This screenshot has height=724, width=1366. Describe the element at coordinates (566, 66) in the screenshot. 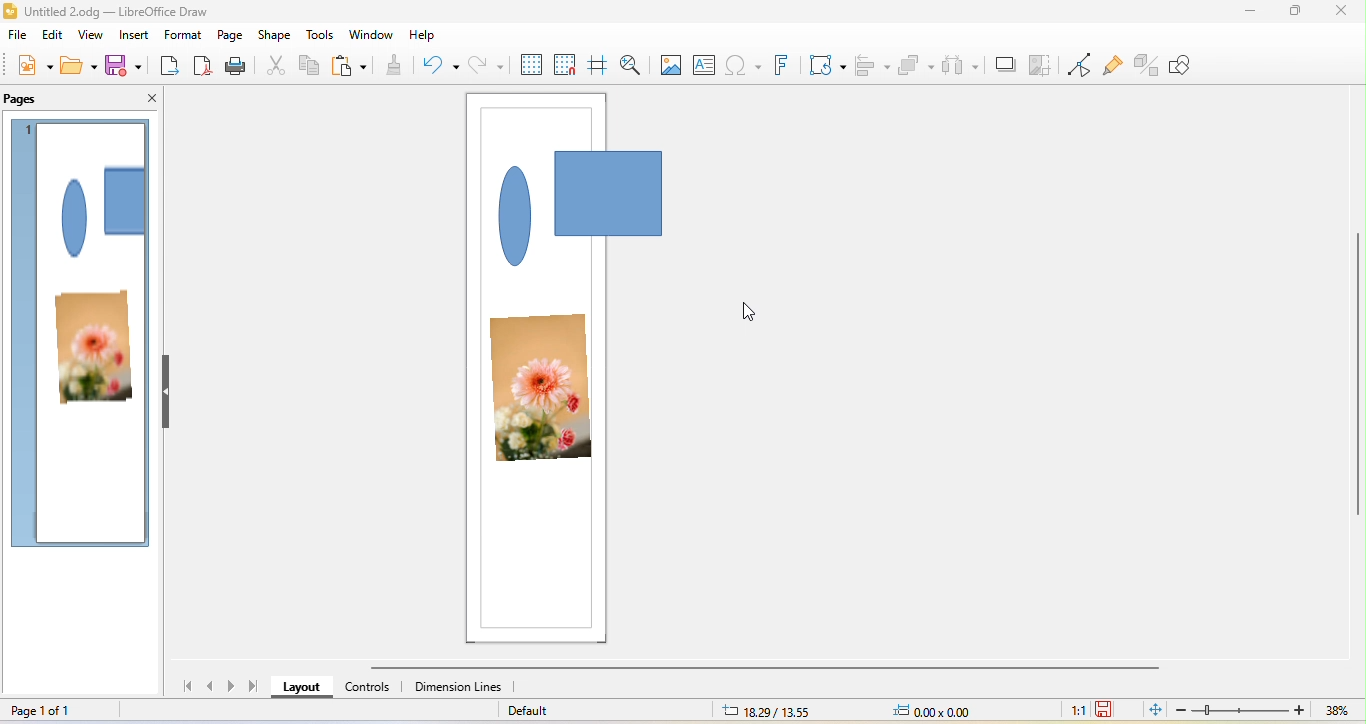

I see `snap to grid` at that location.